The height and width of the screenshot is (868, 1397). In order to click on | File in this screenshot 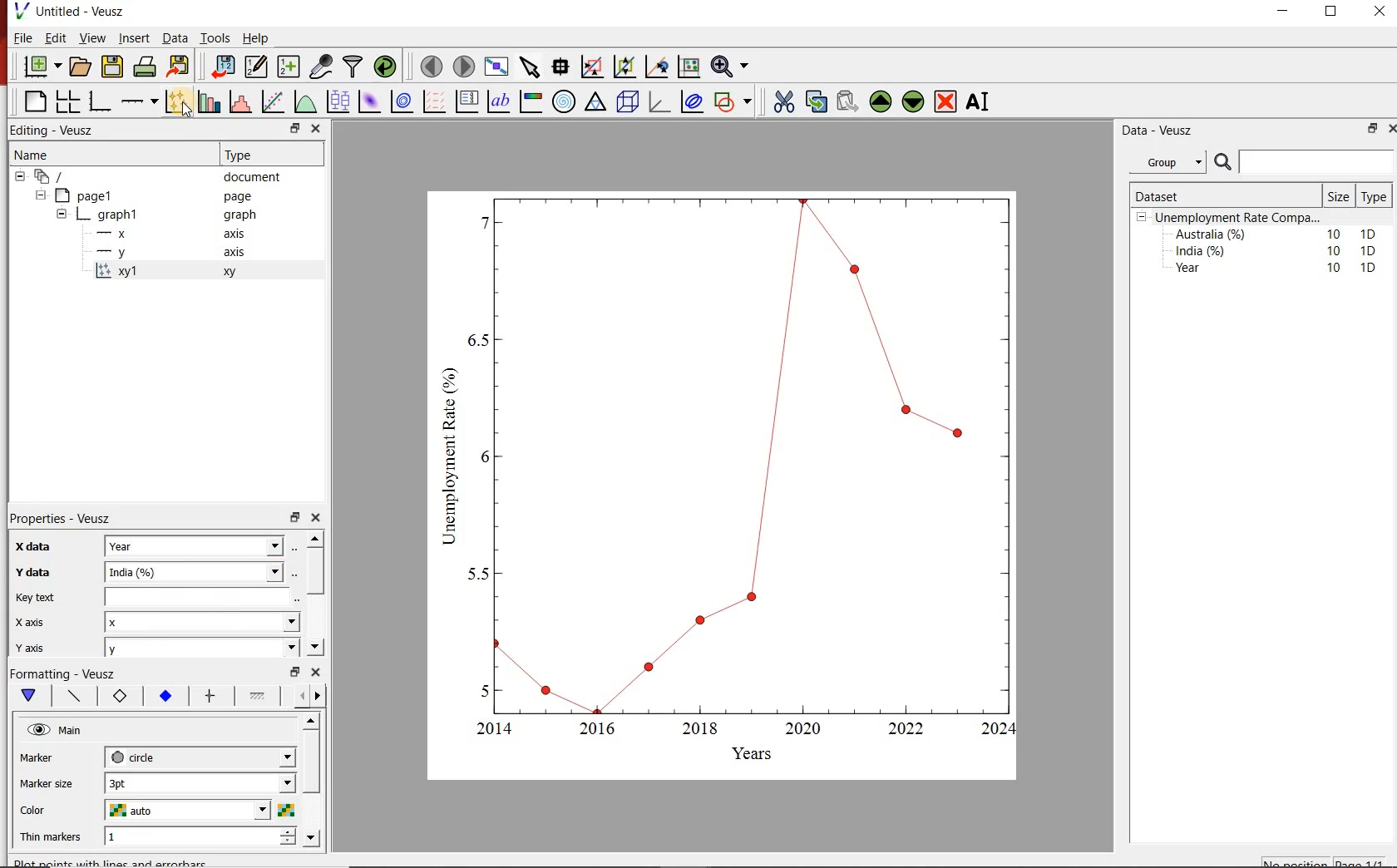, I will do `click(19, 37)`.